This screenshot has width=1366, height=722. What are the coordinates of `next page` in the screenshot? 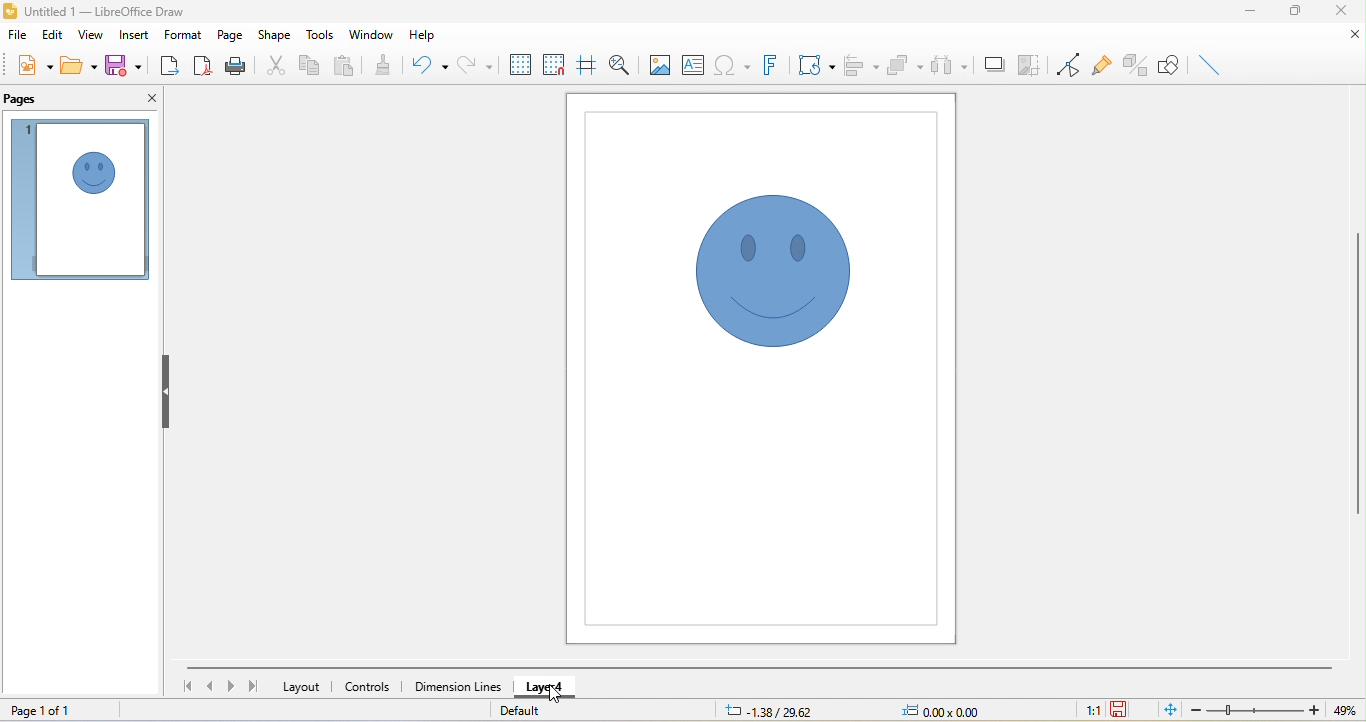 It's located at (230, 687).